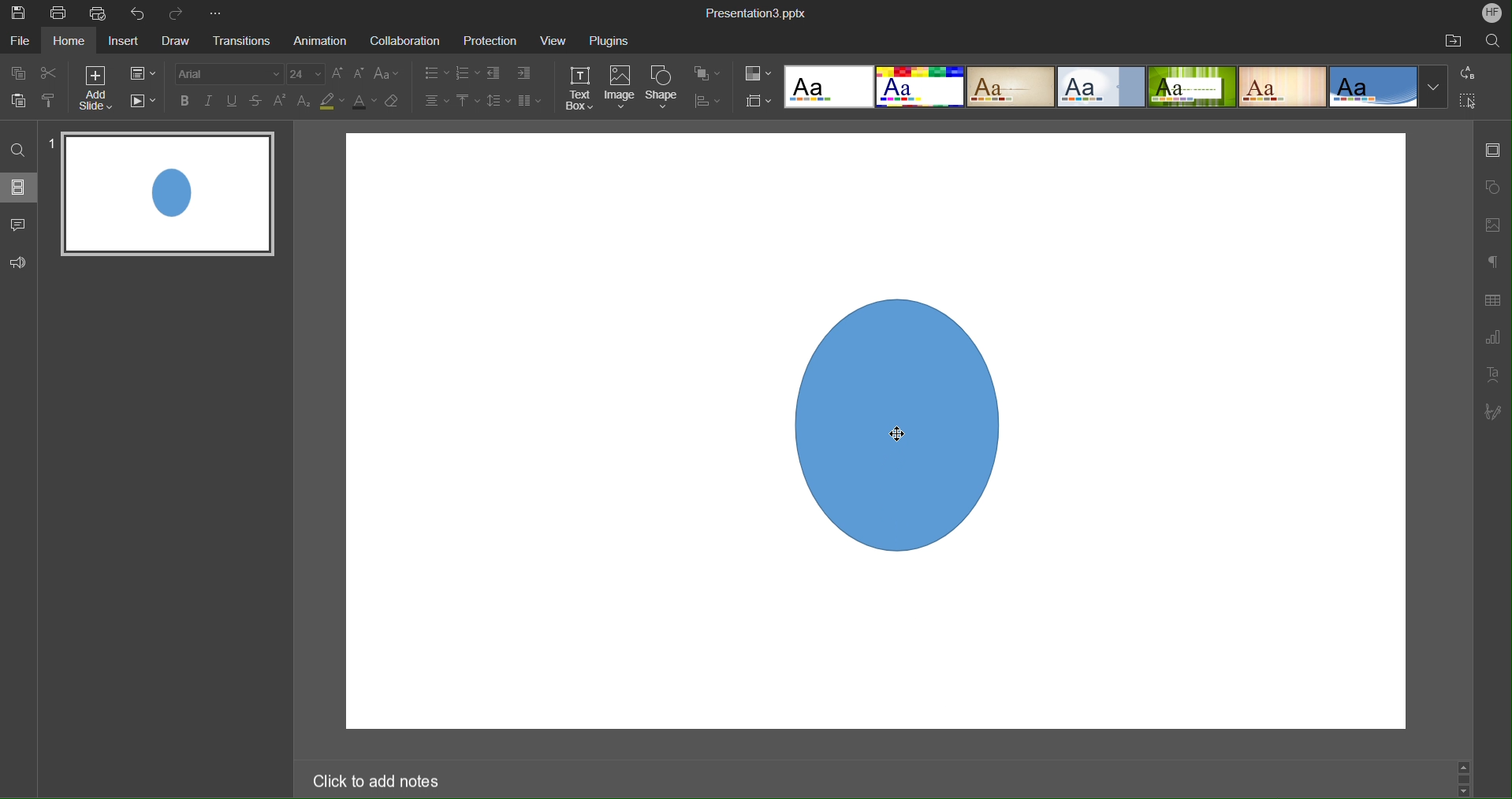  Describe the element at coordinates (339, 74) in the screenshot. I see `Increase Font` at that location.